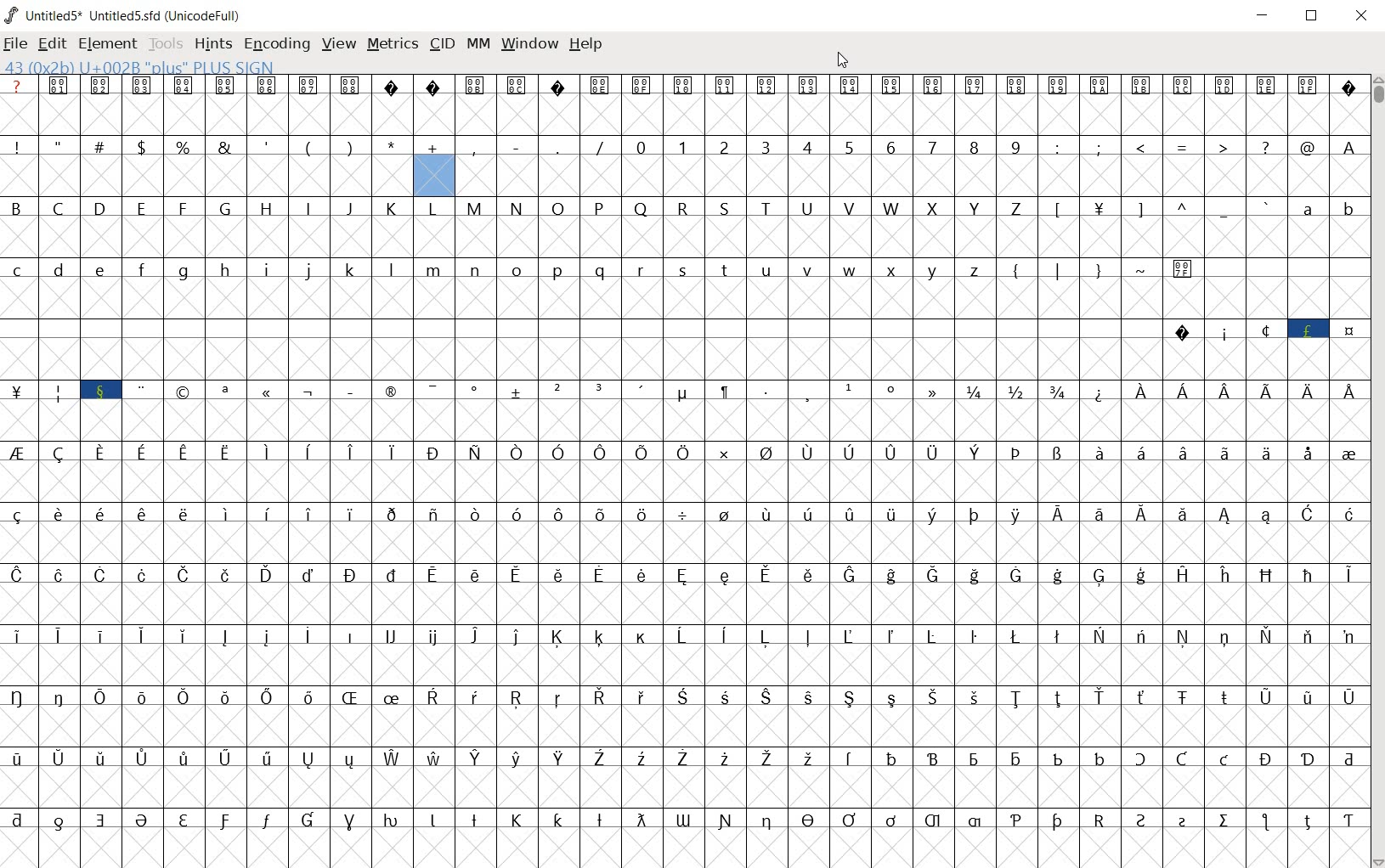 The image size is (1385, 868). I want to click on mm, so click(476, 42).